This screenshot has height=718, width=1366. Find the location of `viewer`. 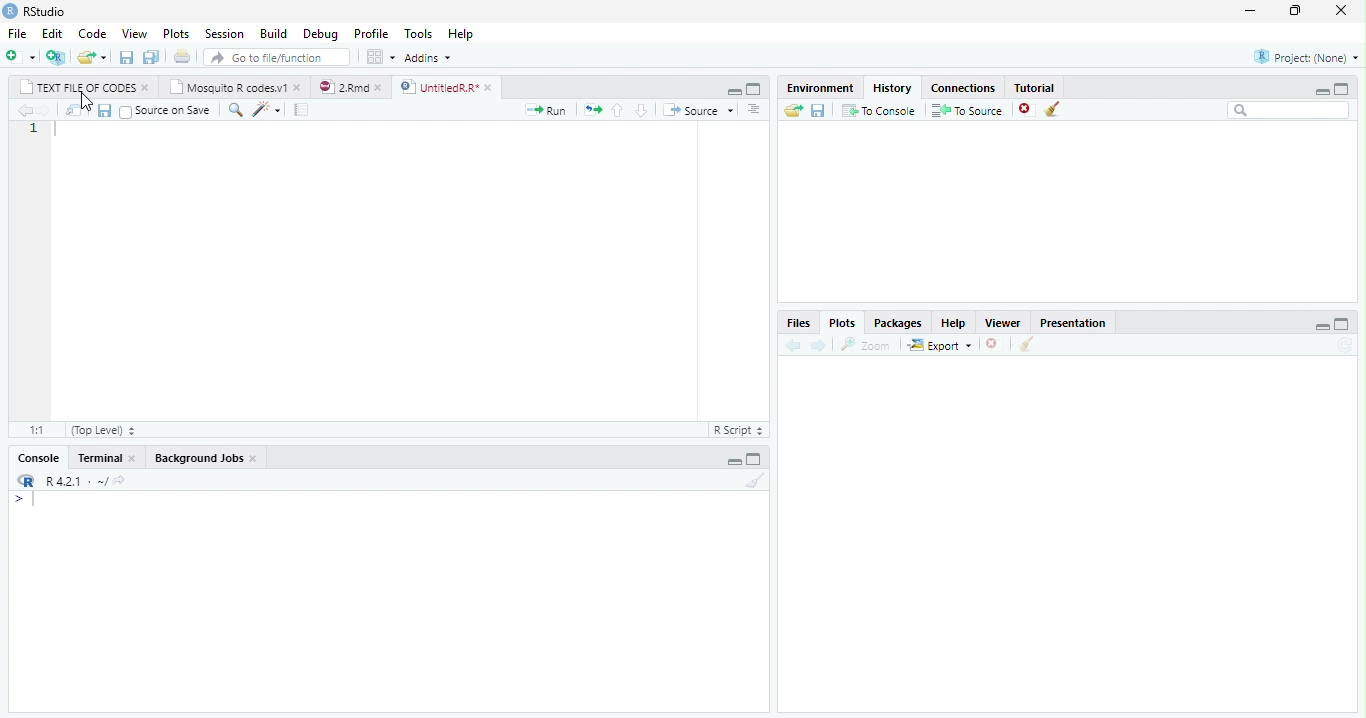

viewer is located at coordinates (1003, 322).